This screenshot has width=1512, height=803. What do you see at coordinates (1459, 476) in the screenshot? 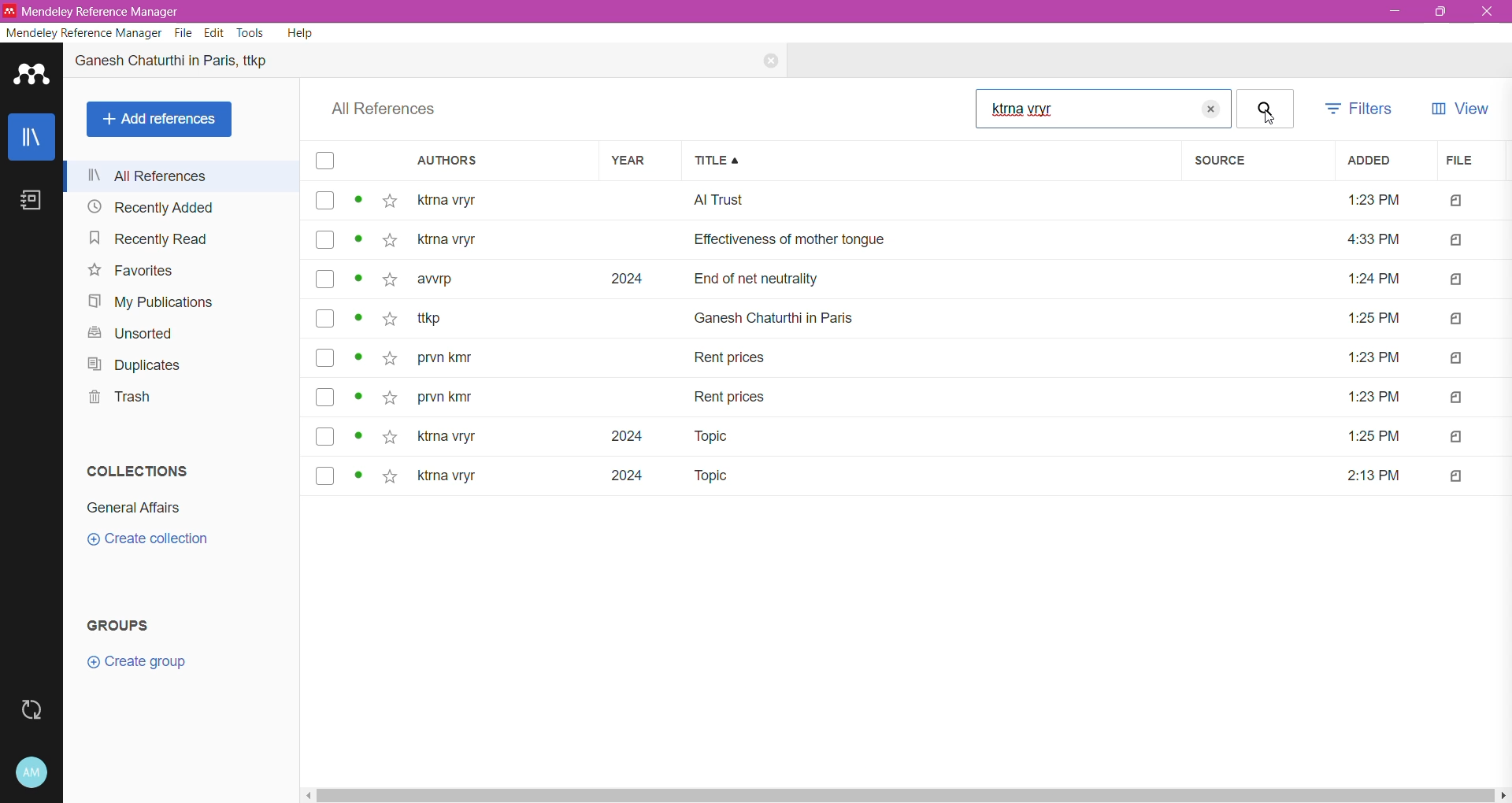
I see `file type` at bounding box center [1459, 476].